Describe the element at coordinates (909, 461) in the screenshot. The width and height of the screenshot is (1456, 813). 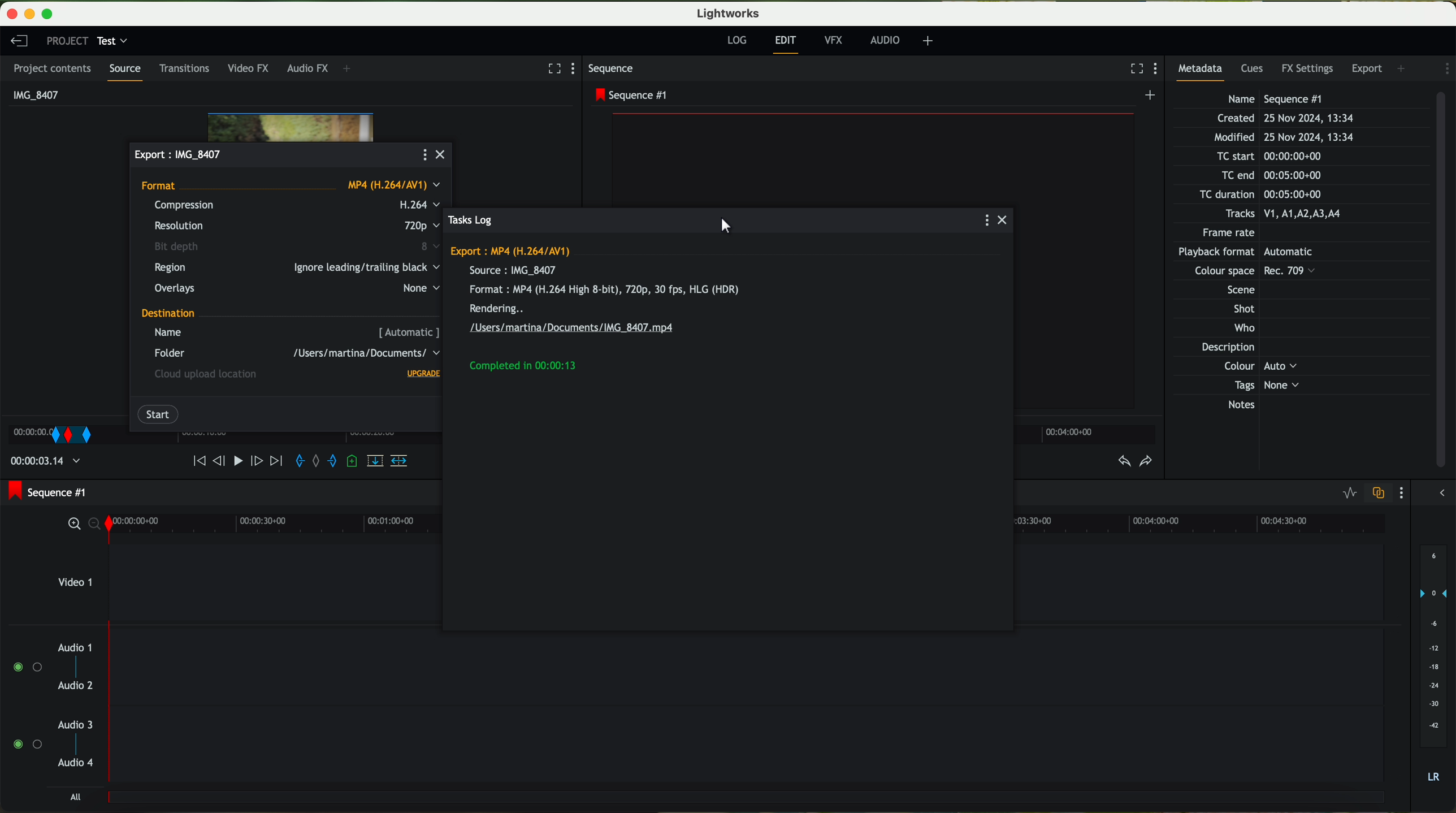
I see `add an out mark` at that location.